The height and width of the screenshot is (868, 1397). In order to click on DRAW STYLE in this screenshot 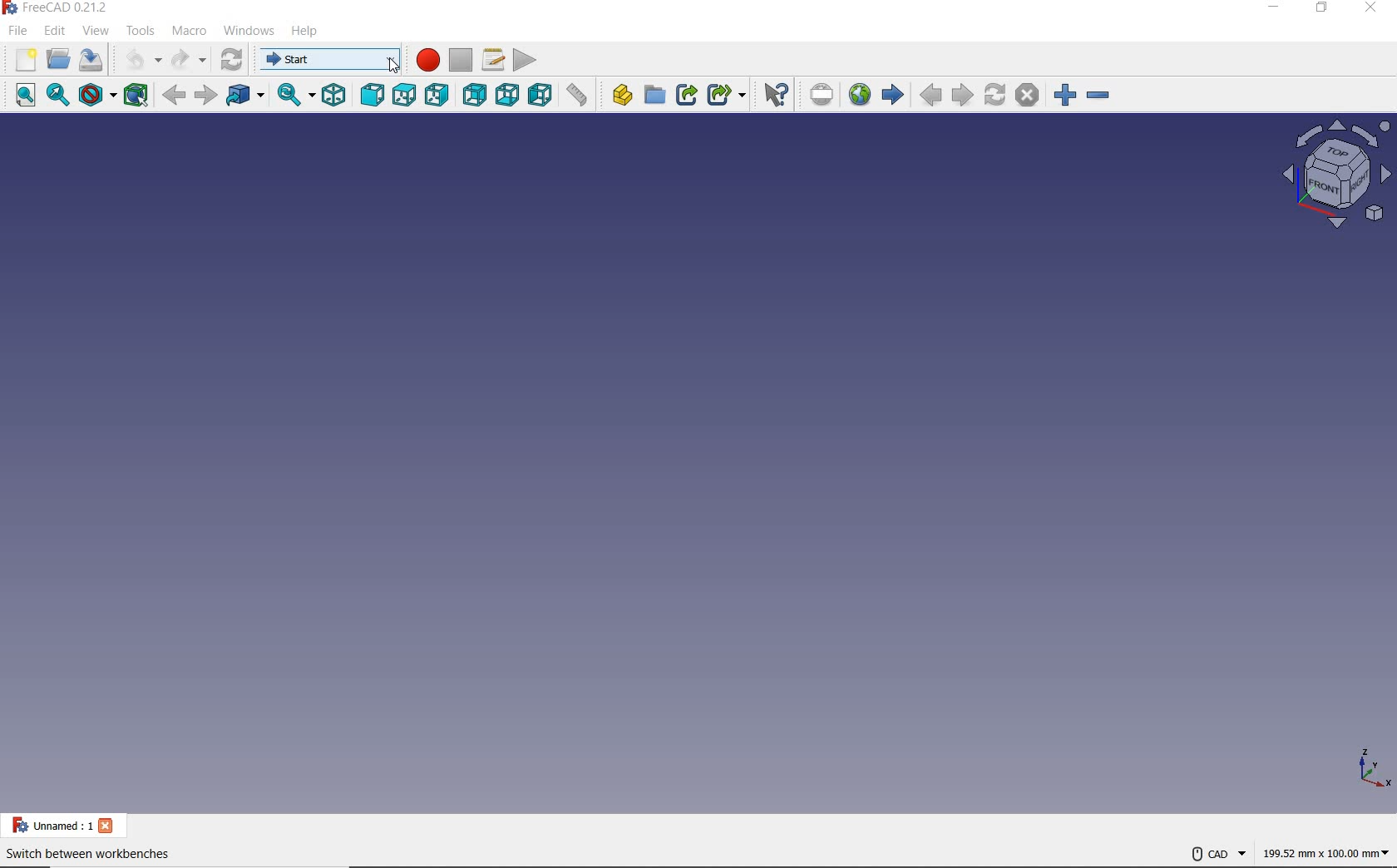, I will do `click(96, 96)`.